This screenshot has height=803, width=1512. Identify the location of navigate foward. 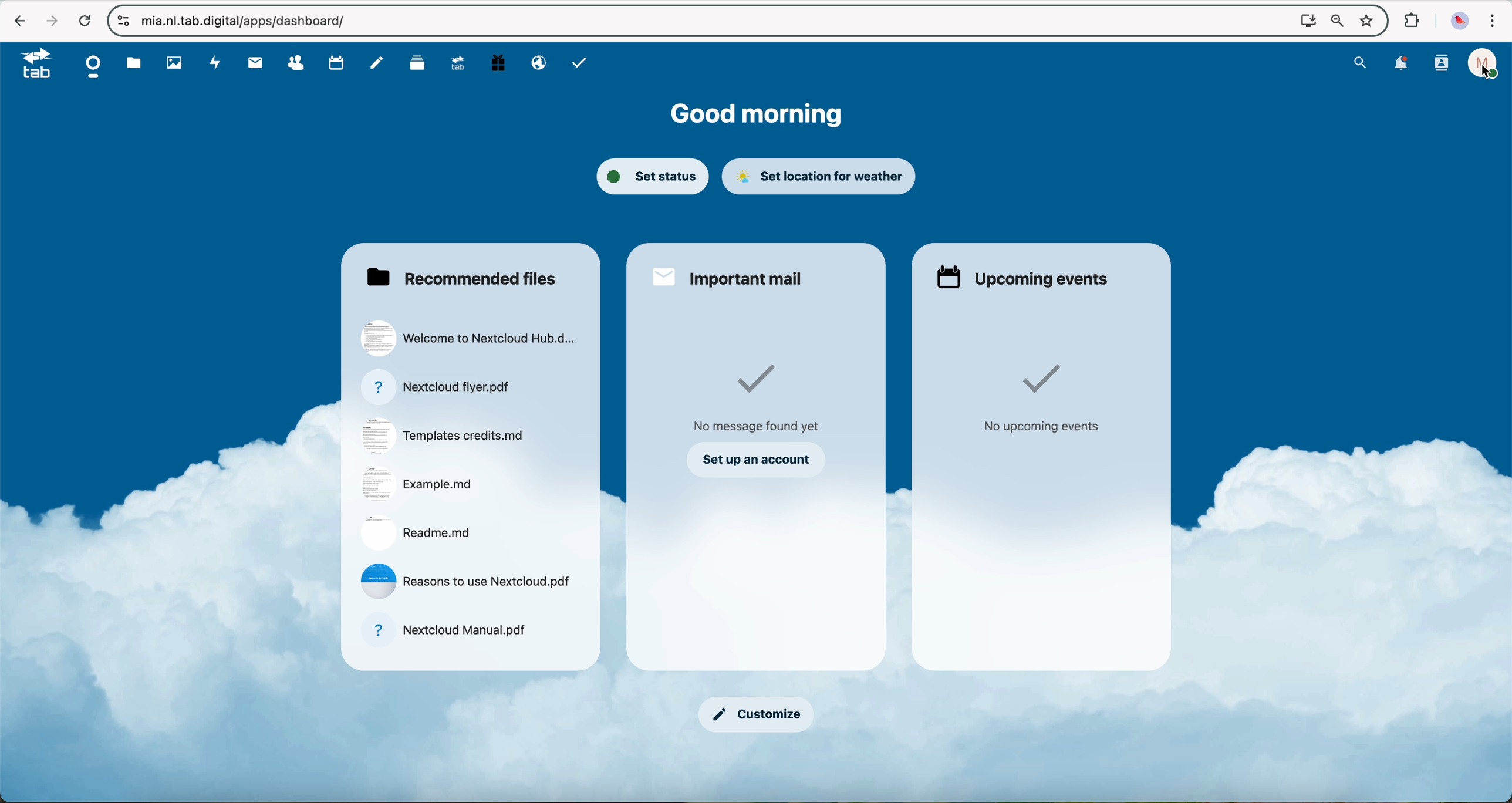
(48, 19).